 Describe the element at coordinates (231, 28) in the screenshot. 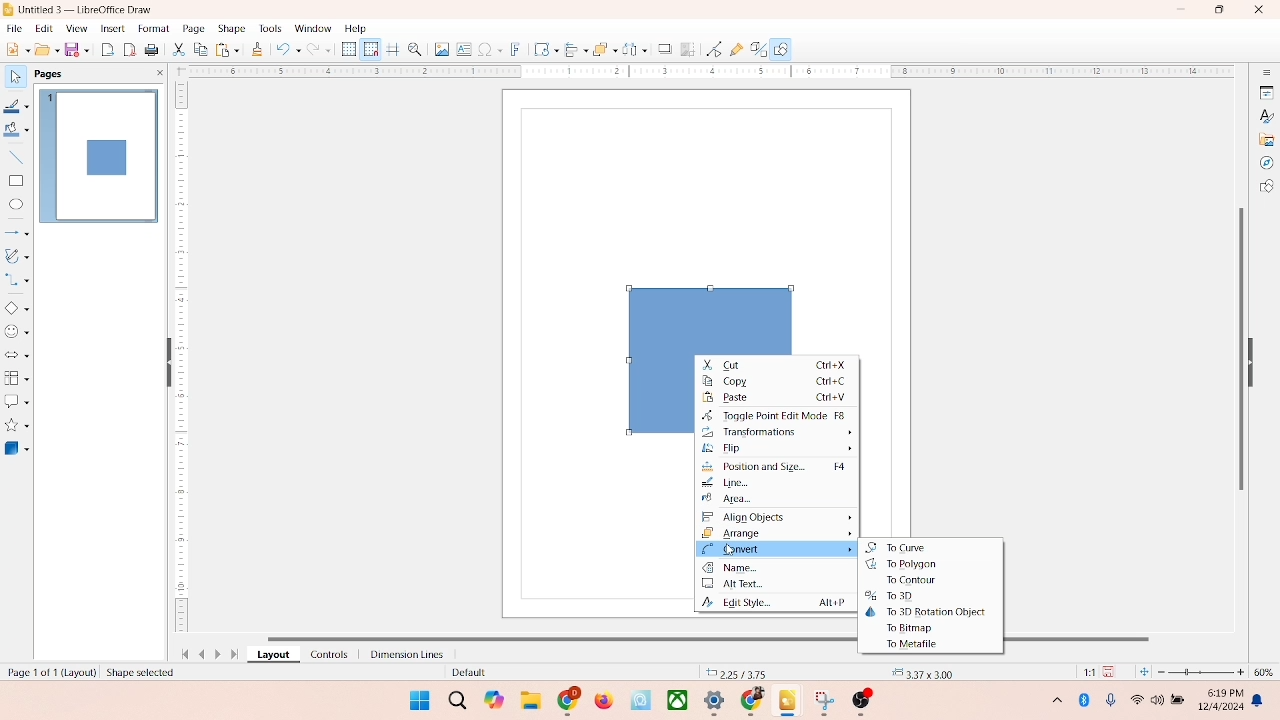

I see `shape` at that location.